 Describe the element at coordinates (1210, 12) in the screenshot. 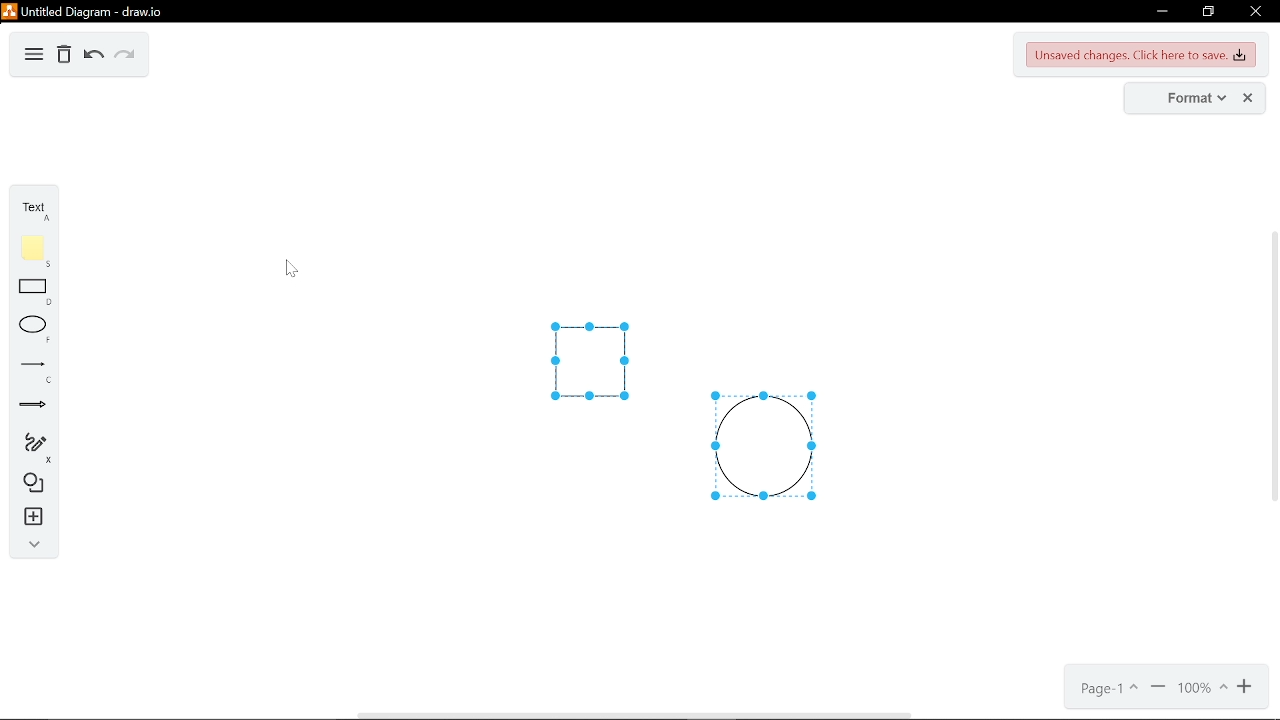

I see `restore down` at that location.